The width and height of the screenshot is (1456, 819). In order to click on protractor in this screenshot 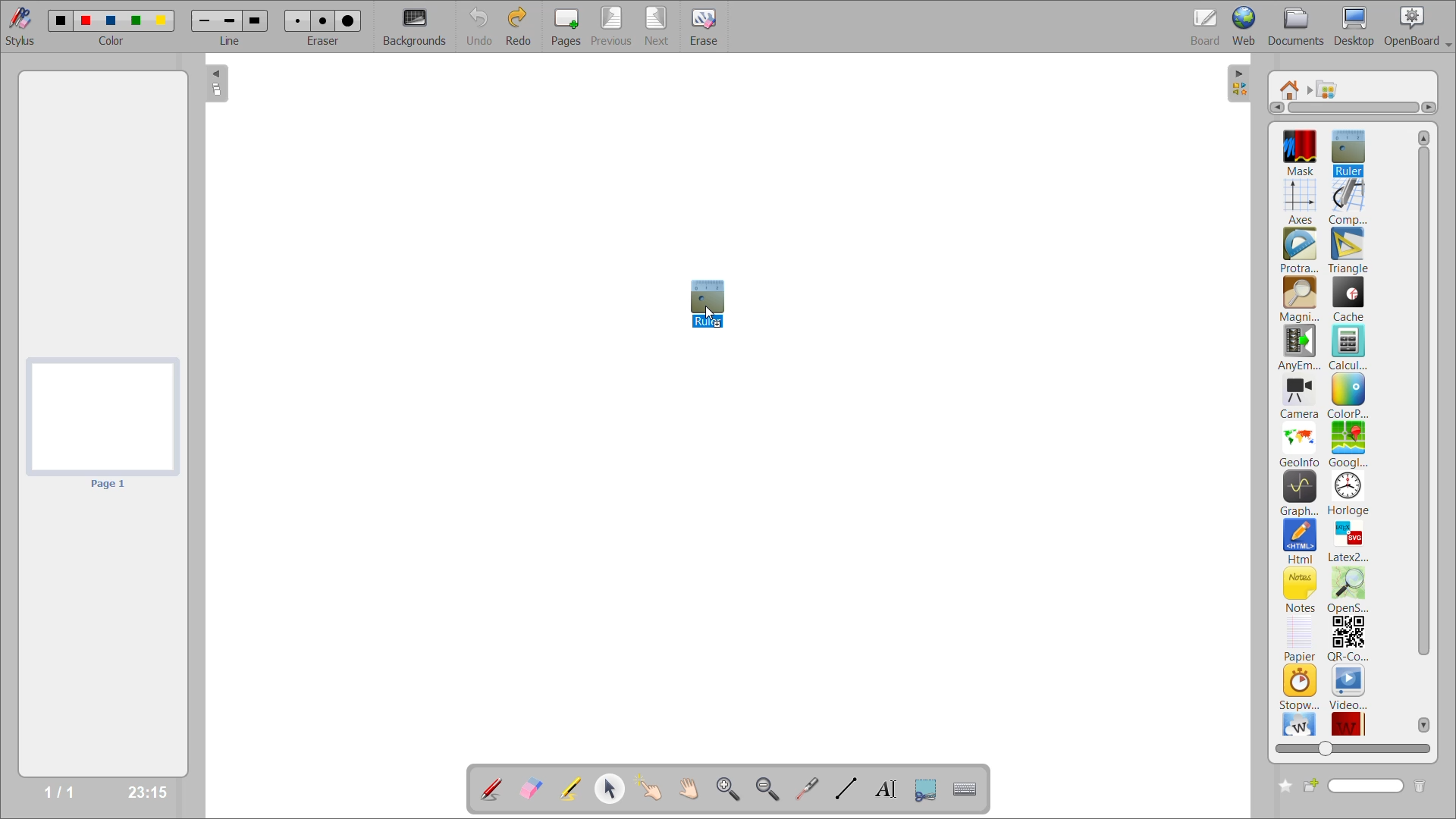, I will do `click(1299, 252)`.